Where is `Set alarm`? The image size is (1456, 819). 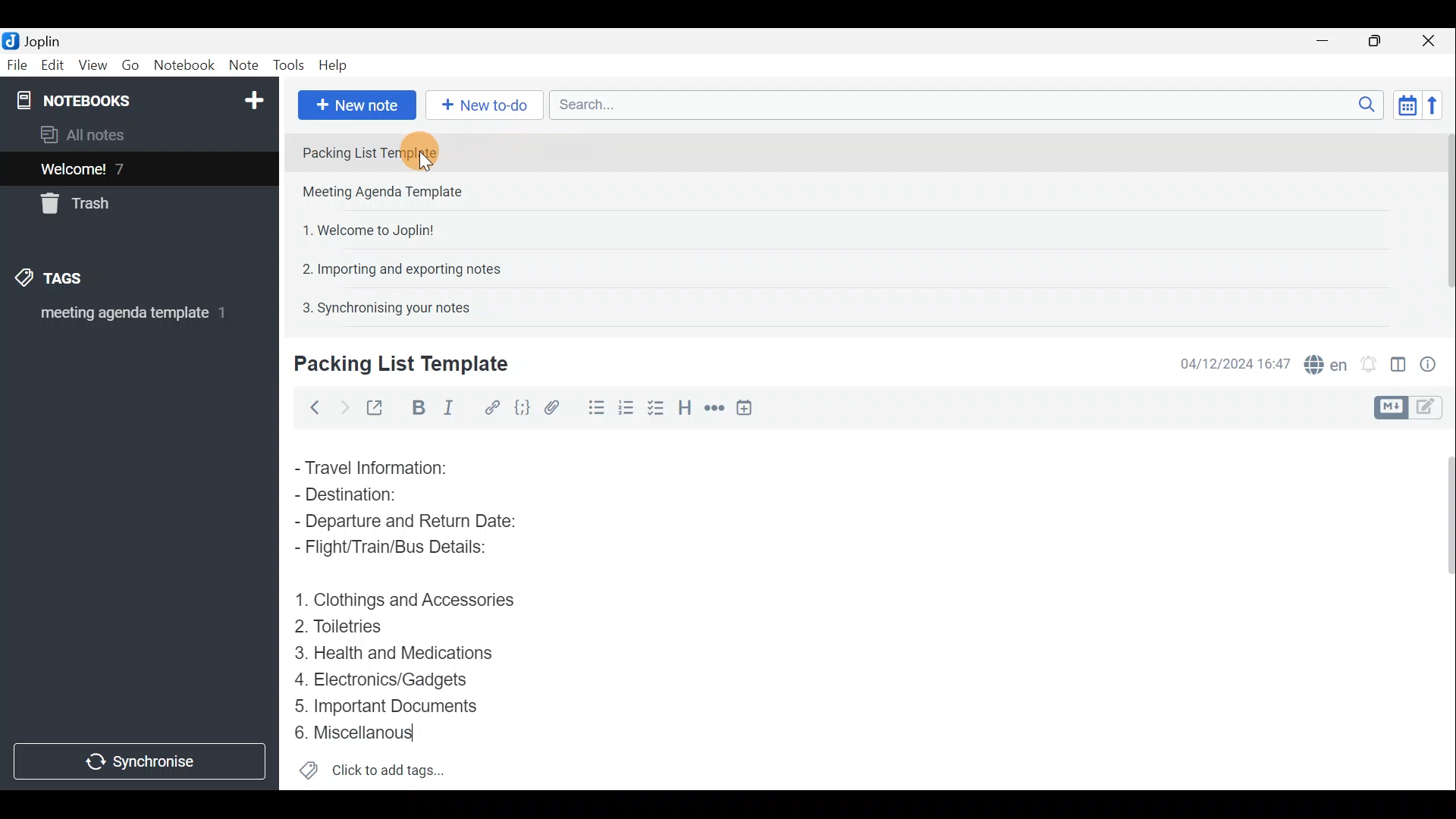
Set alarm is located at coordinates (1368, 360).